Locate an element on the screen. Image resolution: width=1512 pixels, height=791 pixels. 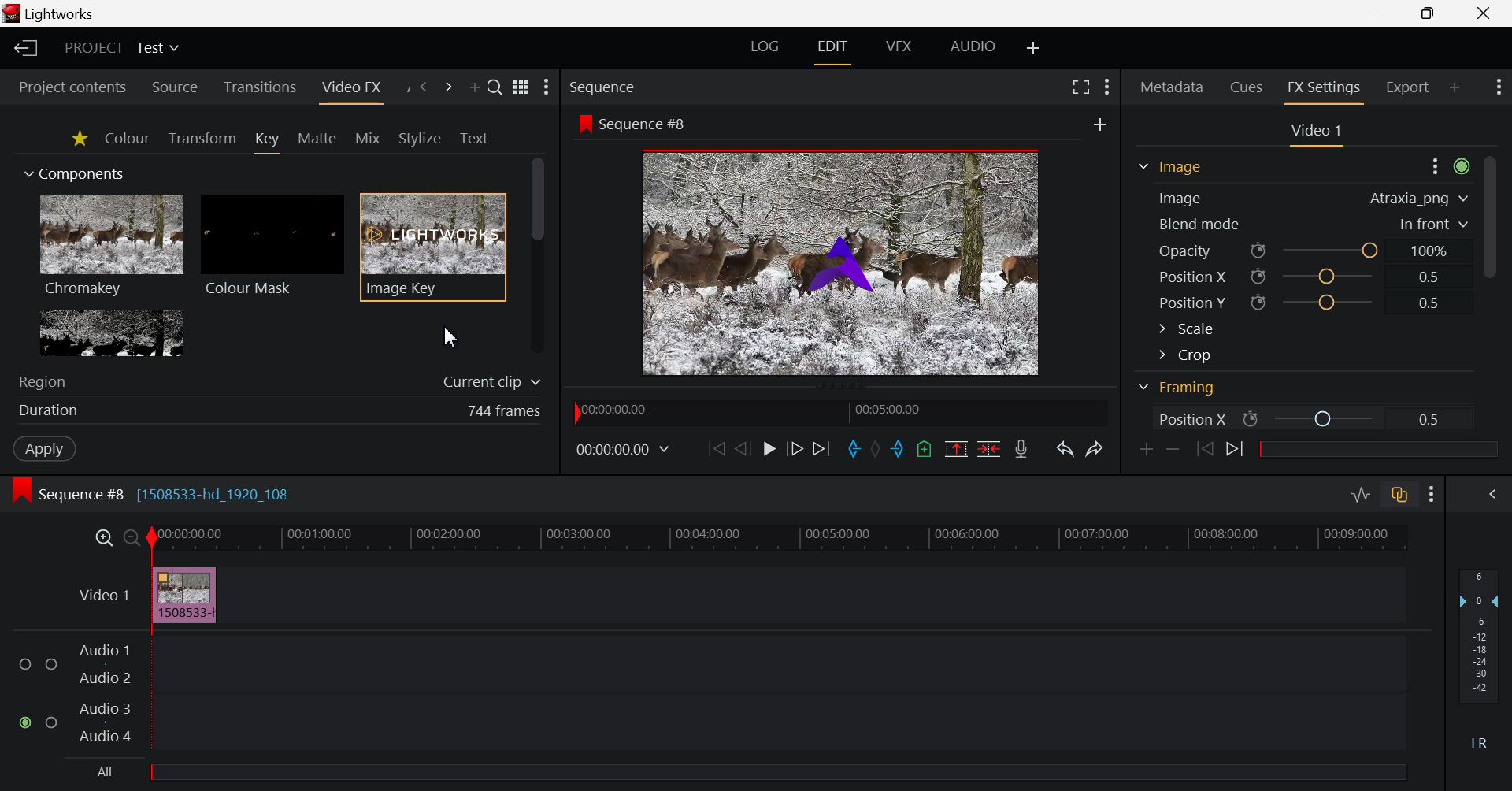
00:00:00:00 is located at coordinates (616, 410).